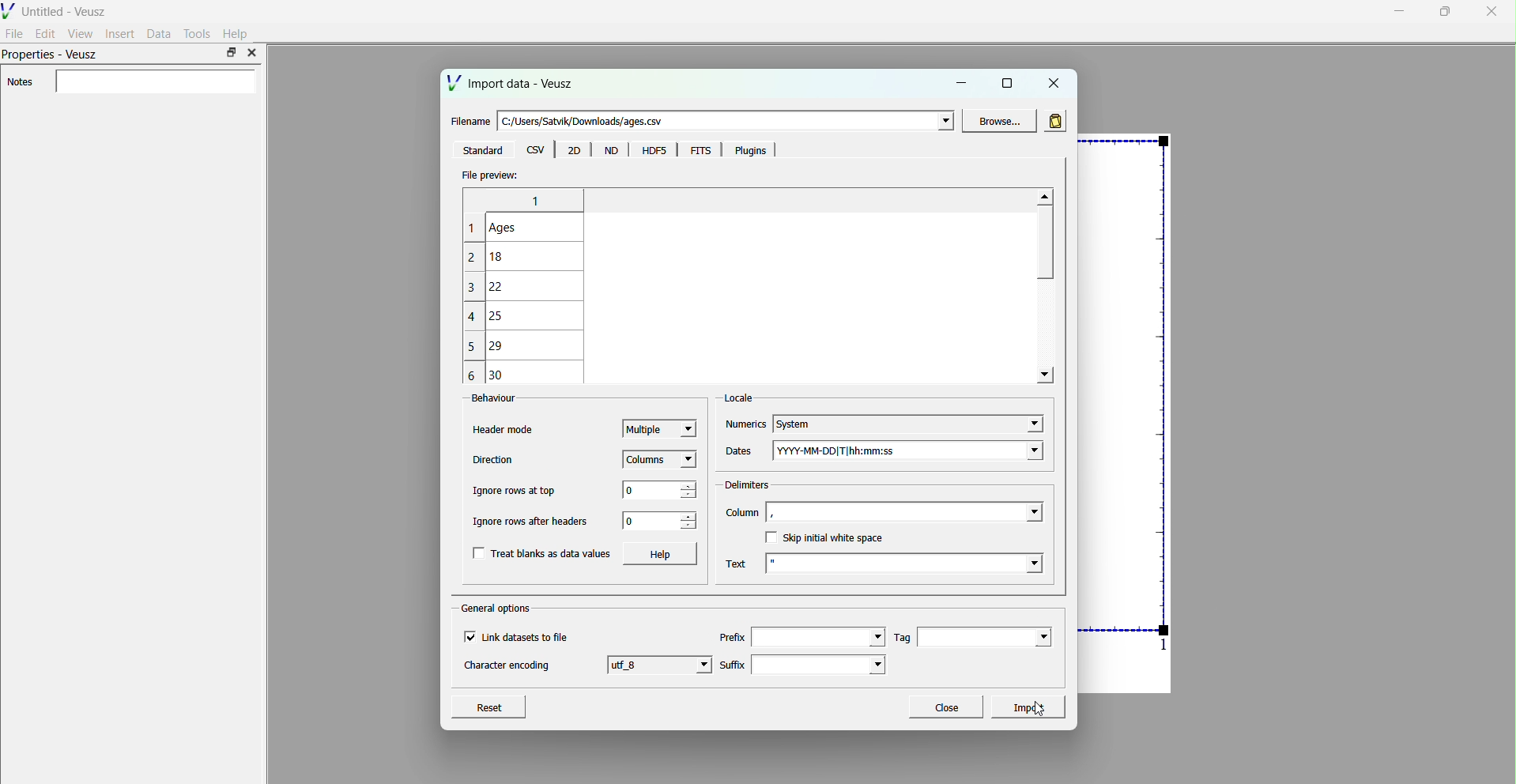  What do you see at coordinates (907, 512) in the screenshot?
I see `column field` at bounding box center [907, 512].